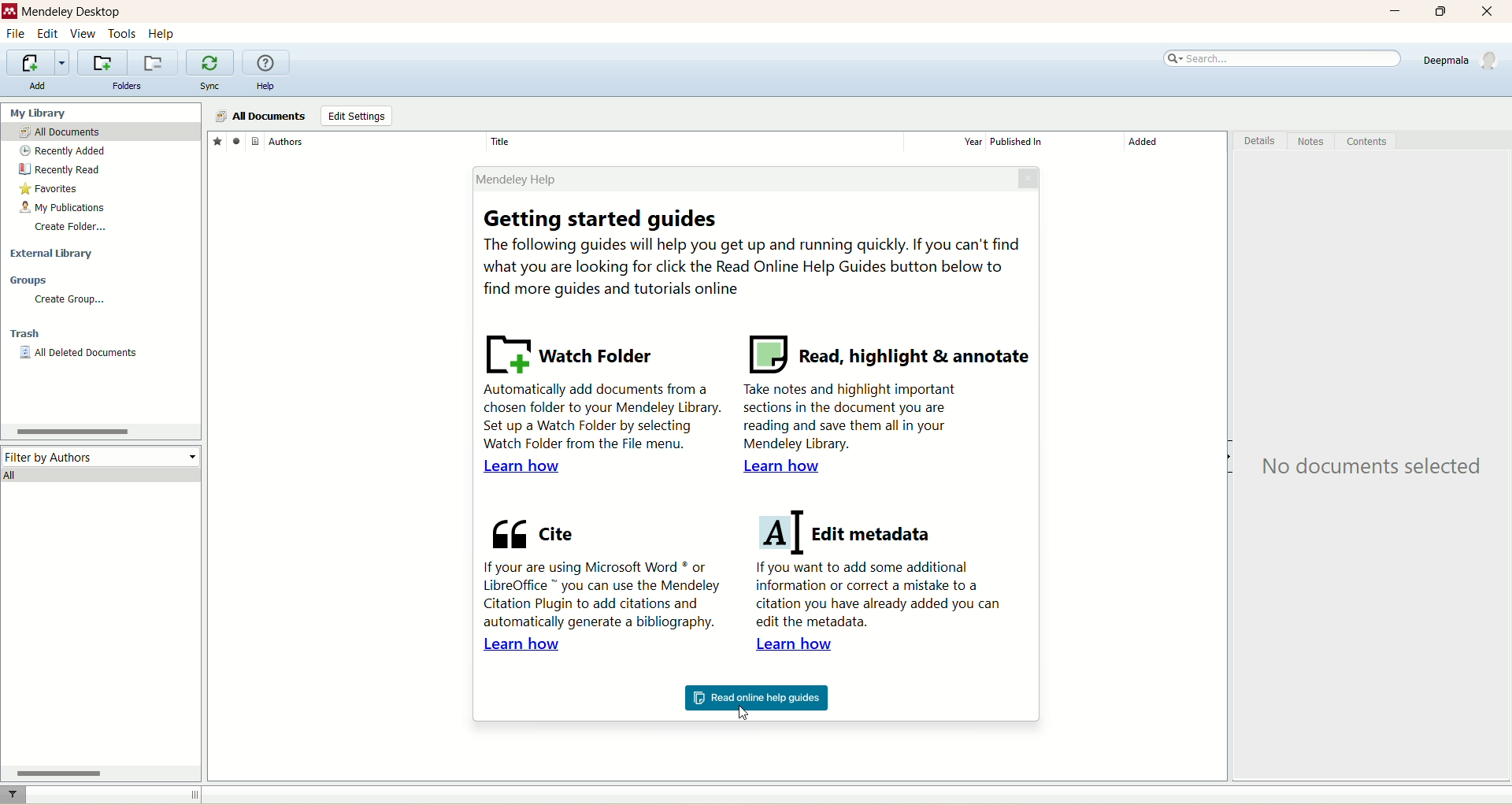 The width and height of the screenshot is (1512, 805). Describe the element at coordinates (802, 646) in the screenshot. I see `Learn how` at that location.